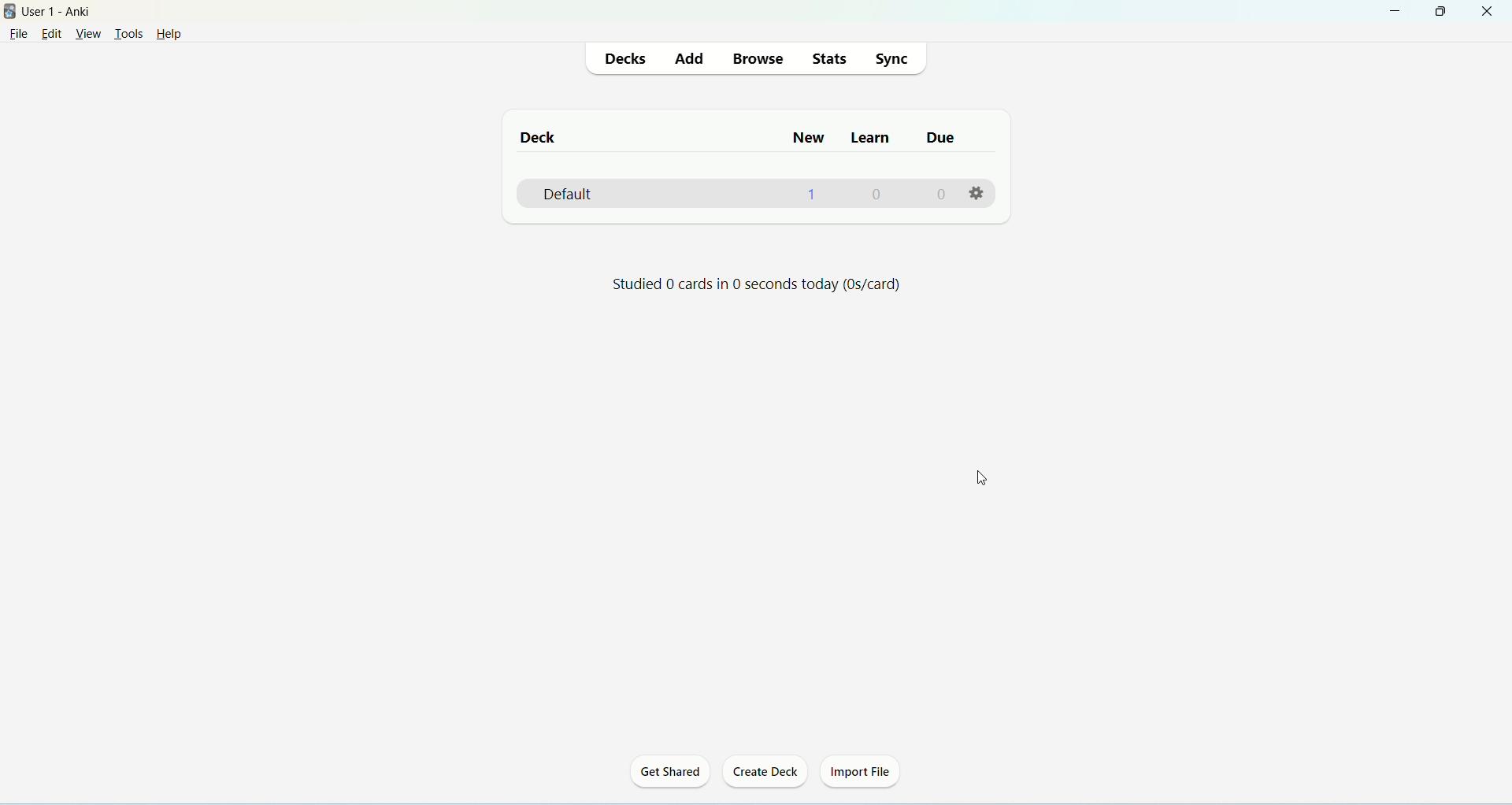  Describe the element at coordinates (89, 33) in the screenshot. I see `view` at that location.